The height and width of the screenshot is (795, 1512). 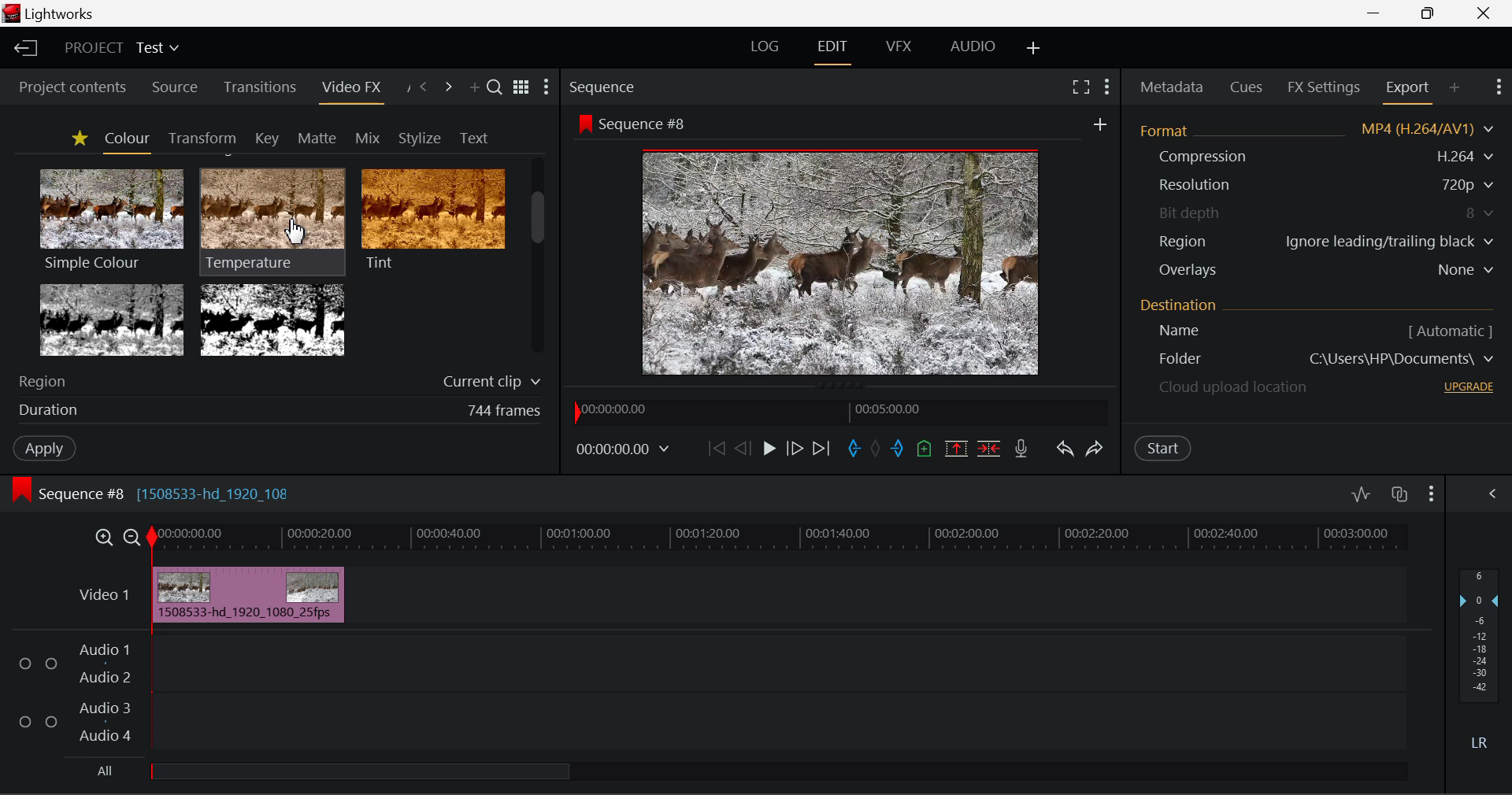 What do you see at coordinates (825, 449) in the screenshot?
I see `To End` at bounding box center [825, 449].